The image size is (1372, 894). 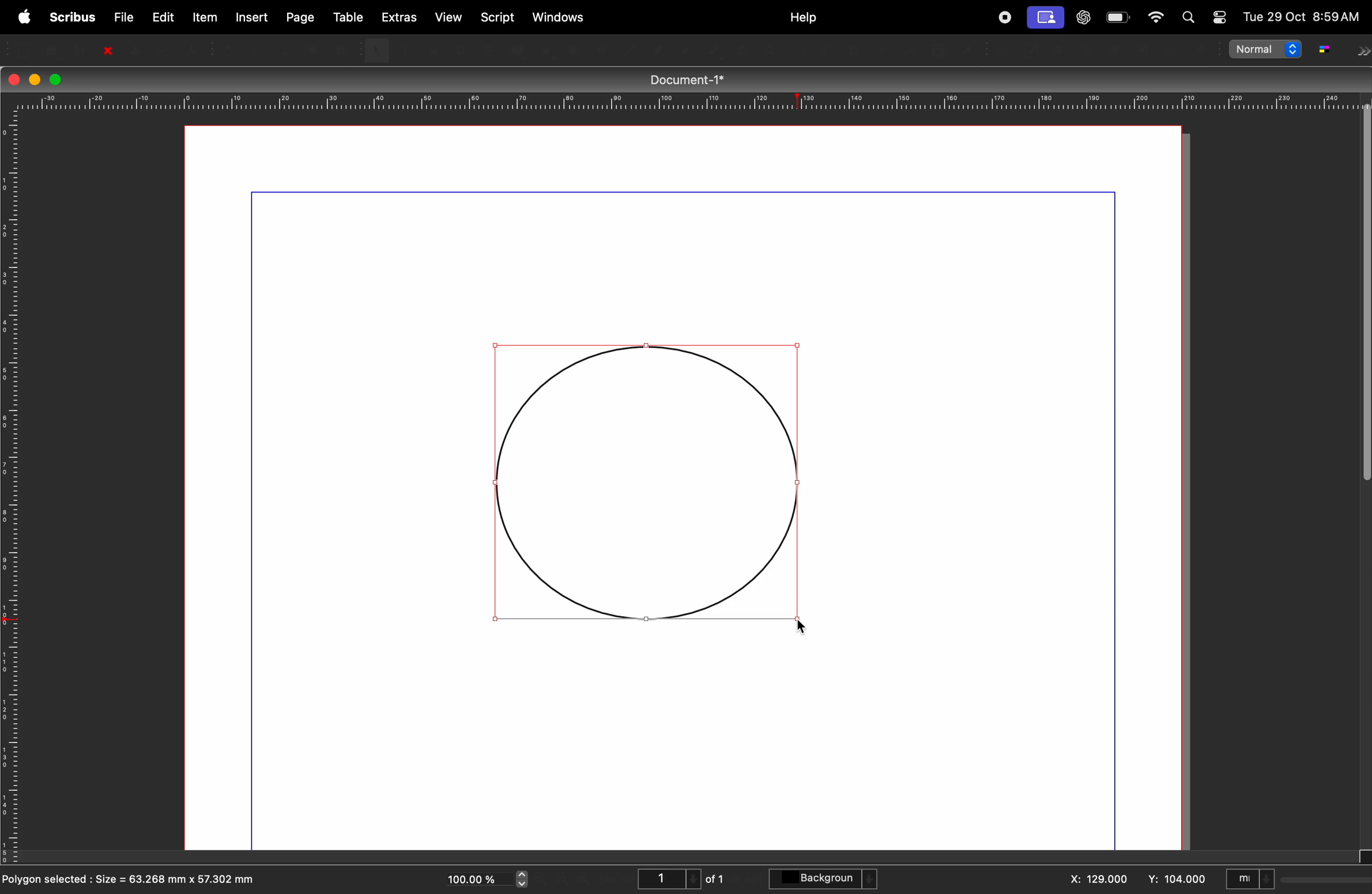 I want to click on PDF text field, so click(x=1089, y=50).